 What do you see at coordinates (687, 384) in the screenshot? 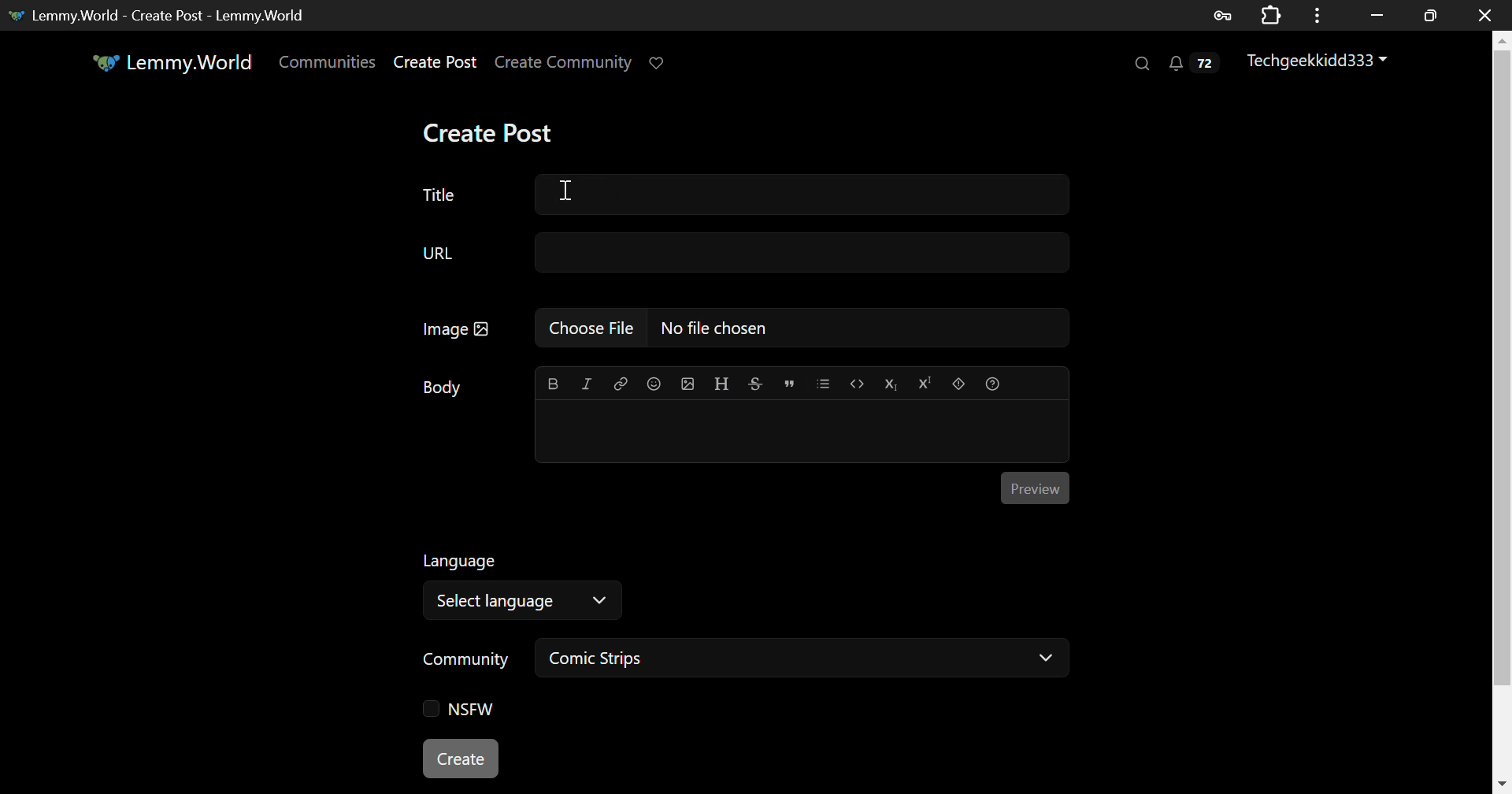
I see `Insert Image` at bounding box center [687, 384].